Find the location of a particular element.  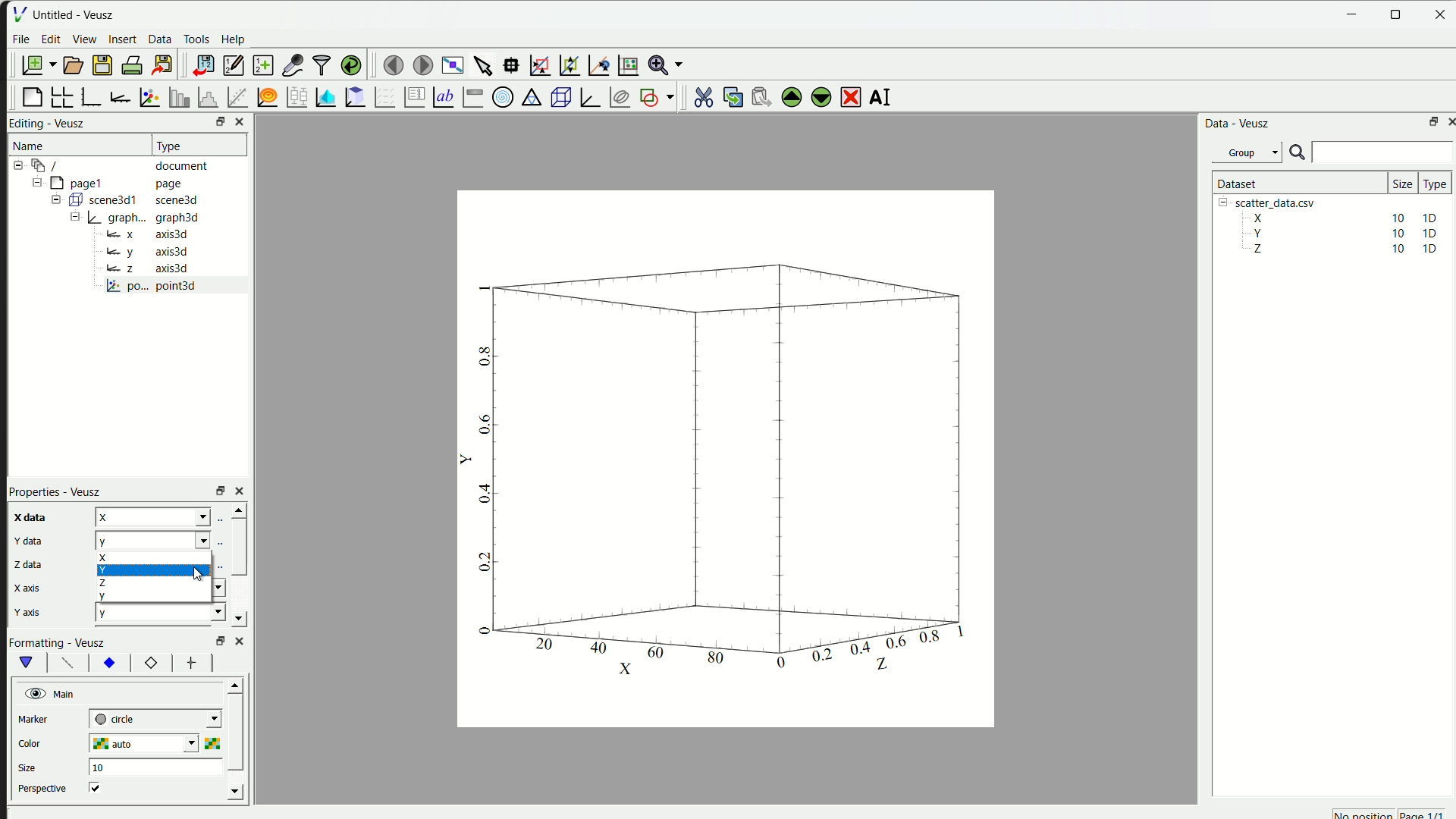

cut the selected widget is located at coordinates (701, 96).